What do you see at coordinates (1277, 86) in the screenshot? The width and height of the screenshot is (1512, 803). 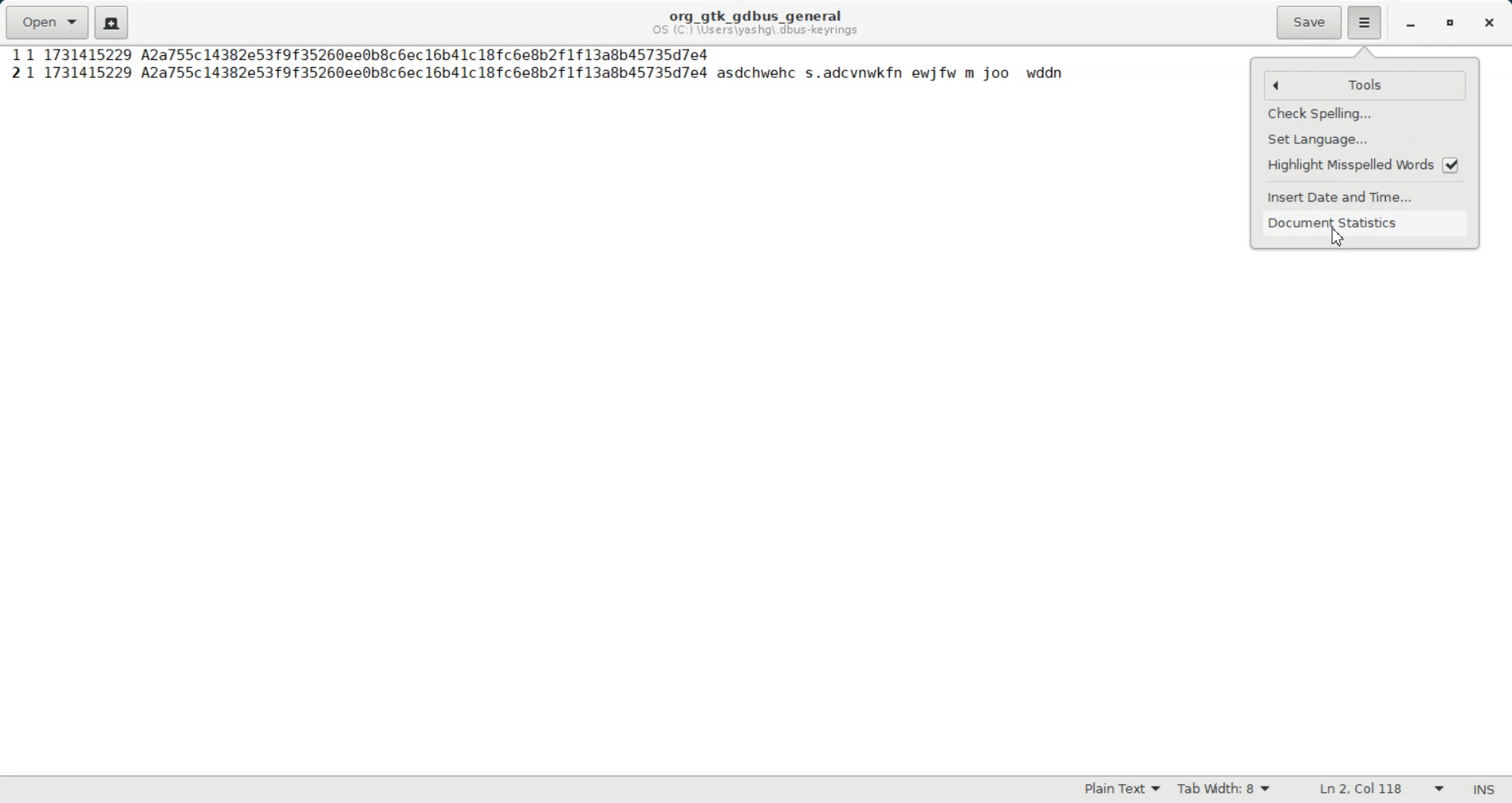 I see `back` at bounding box center [1277, 86].